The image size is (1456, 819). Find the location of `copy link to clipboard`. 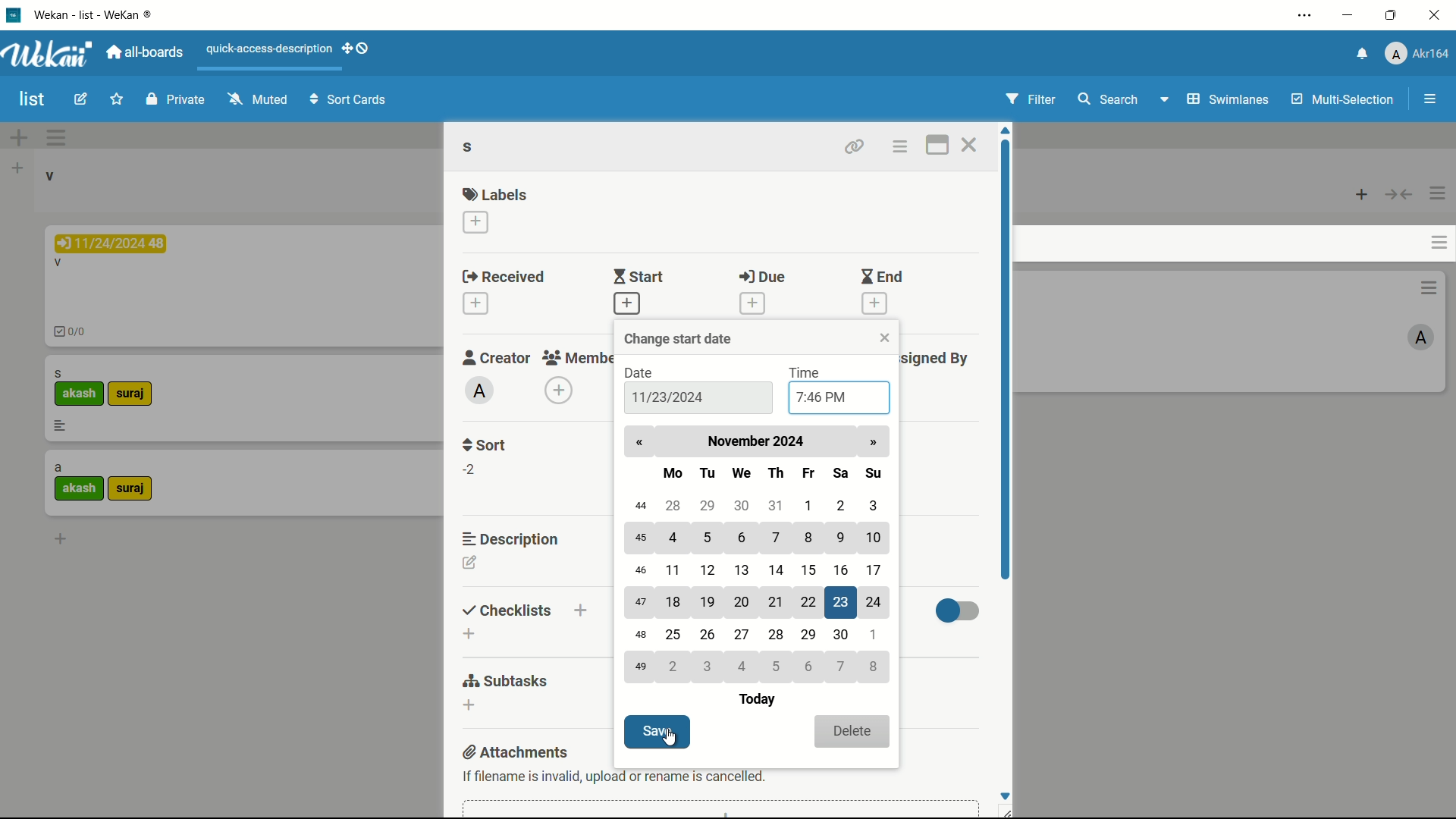

copy link to clipboard is located at coordinates (855, 146).